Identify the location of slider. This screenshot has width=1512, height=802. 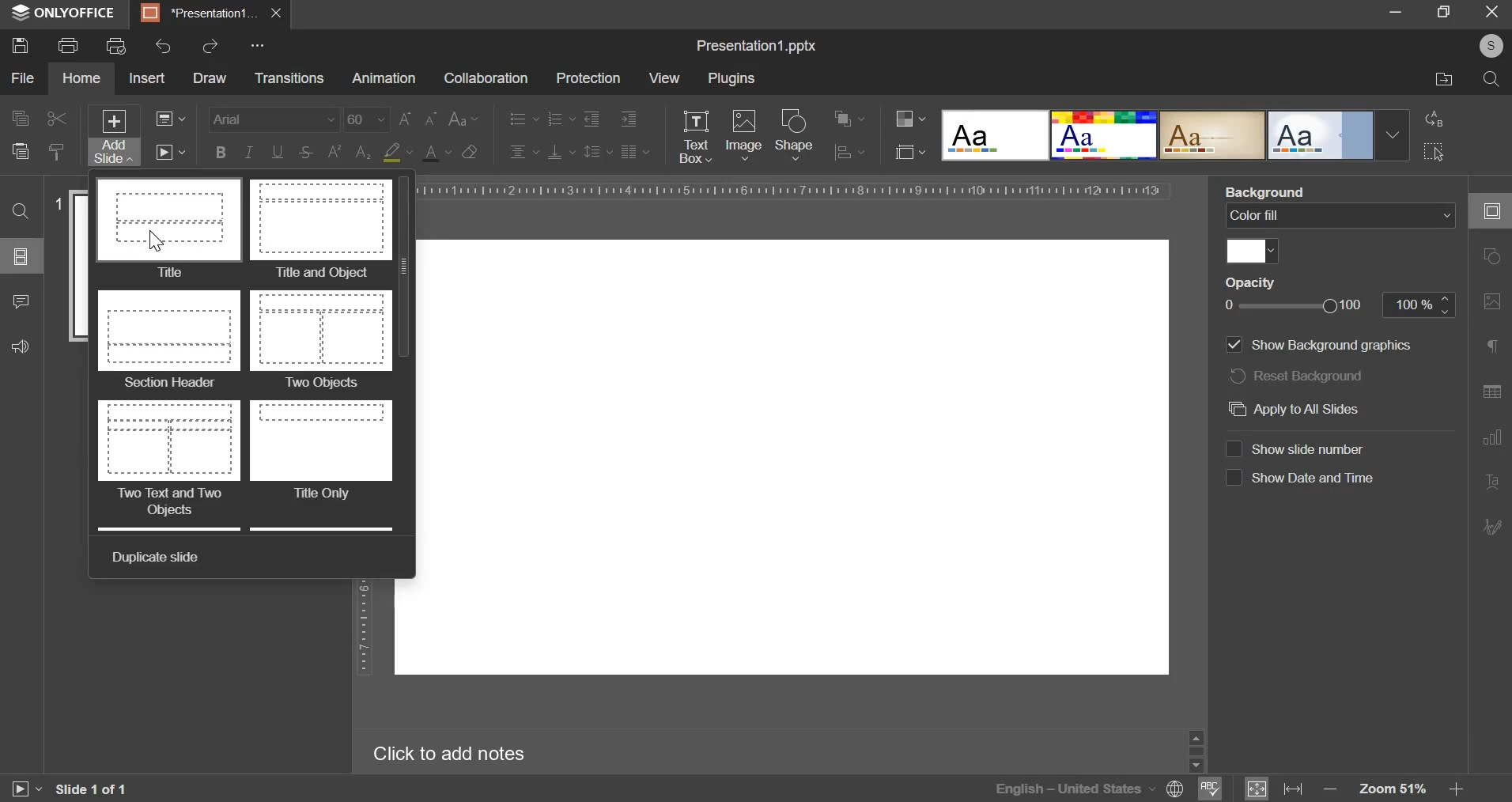
(1195, 749).